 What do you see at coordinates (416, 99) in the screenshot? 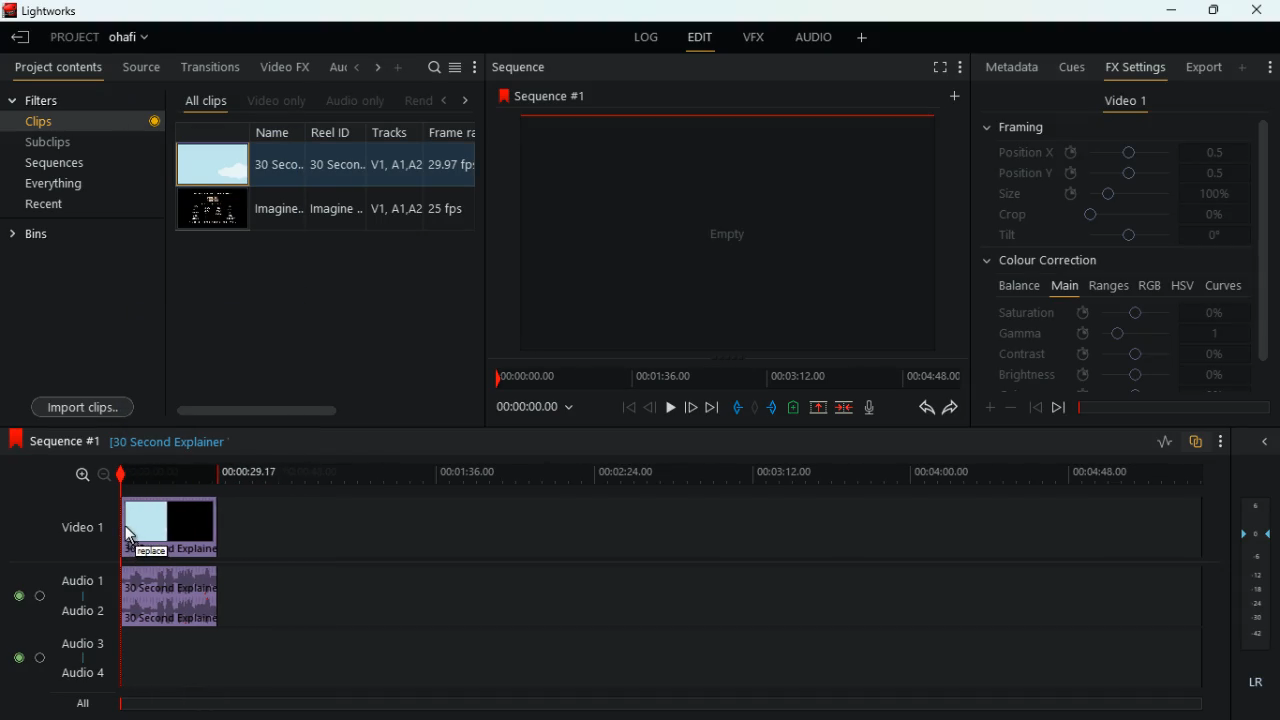
I see `rend` at bounding box center [416, 99].